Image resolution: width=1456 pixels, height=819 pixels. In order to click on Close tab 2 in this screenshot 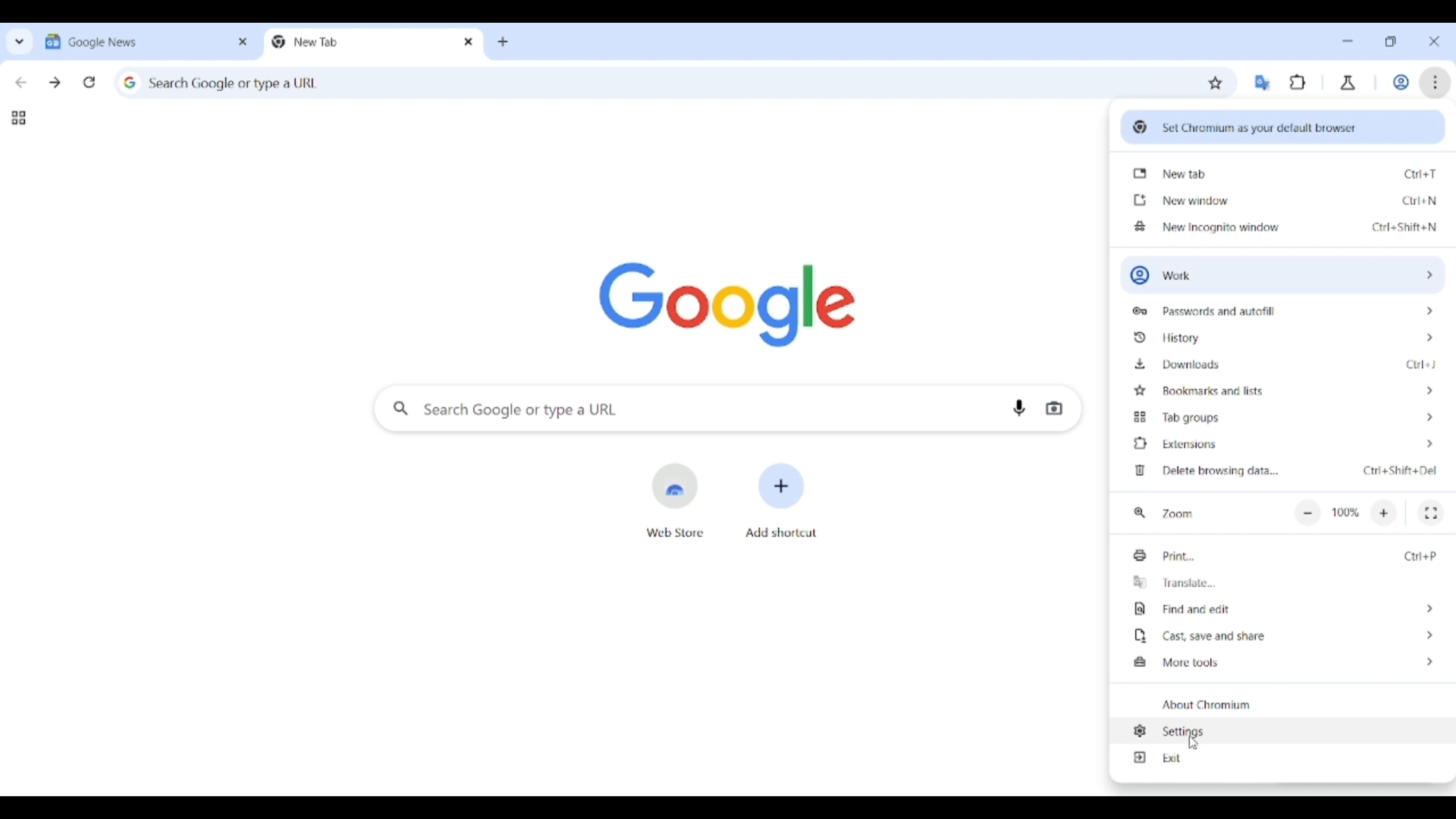, I will do `click(469, 42)`.